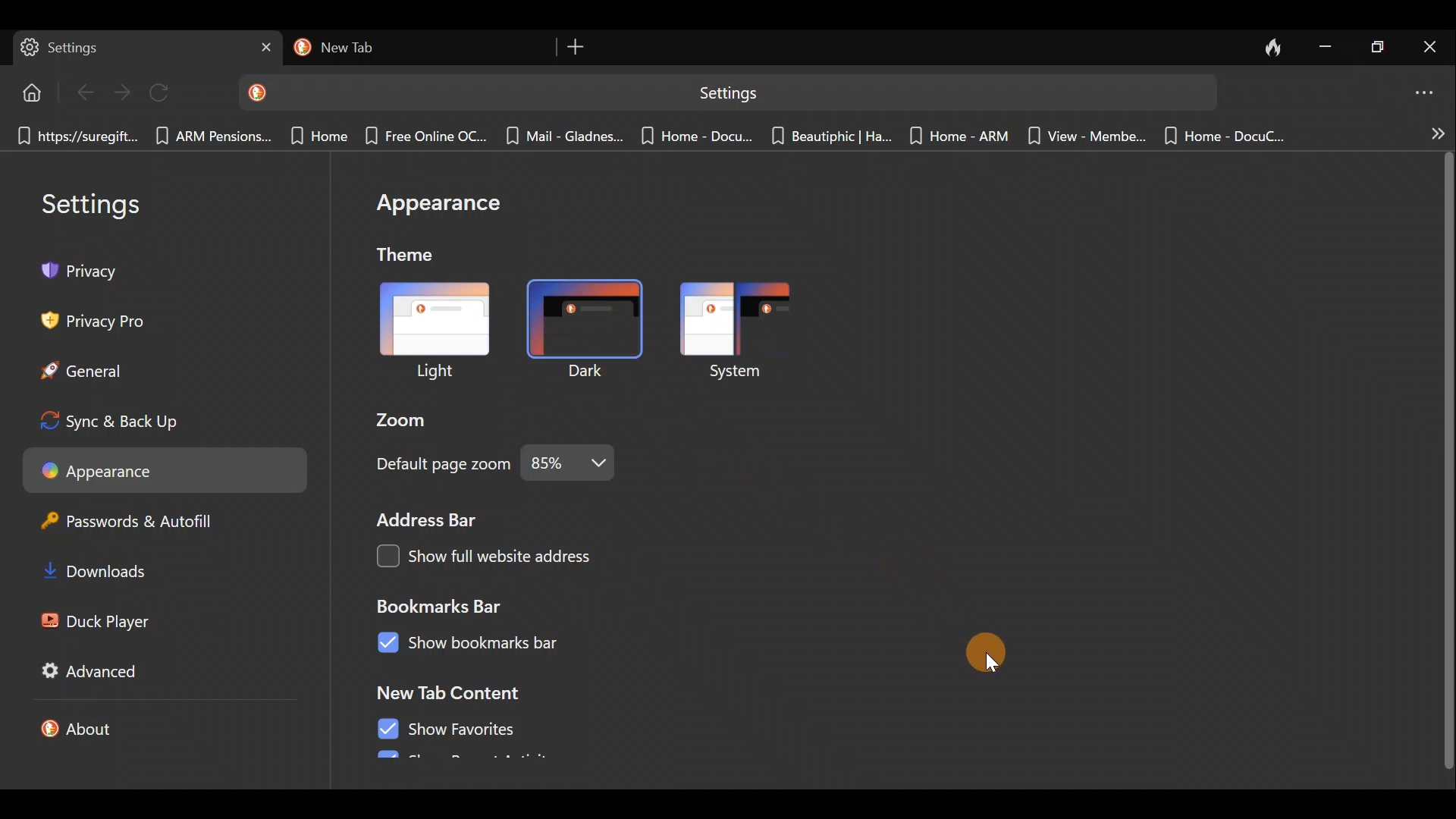  What do you see at coordinates (300, 48) in the screenshot?
I see `duckduck go logo` at bounding box center [300, 48].